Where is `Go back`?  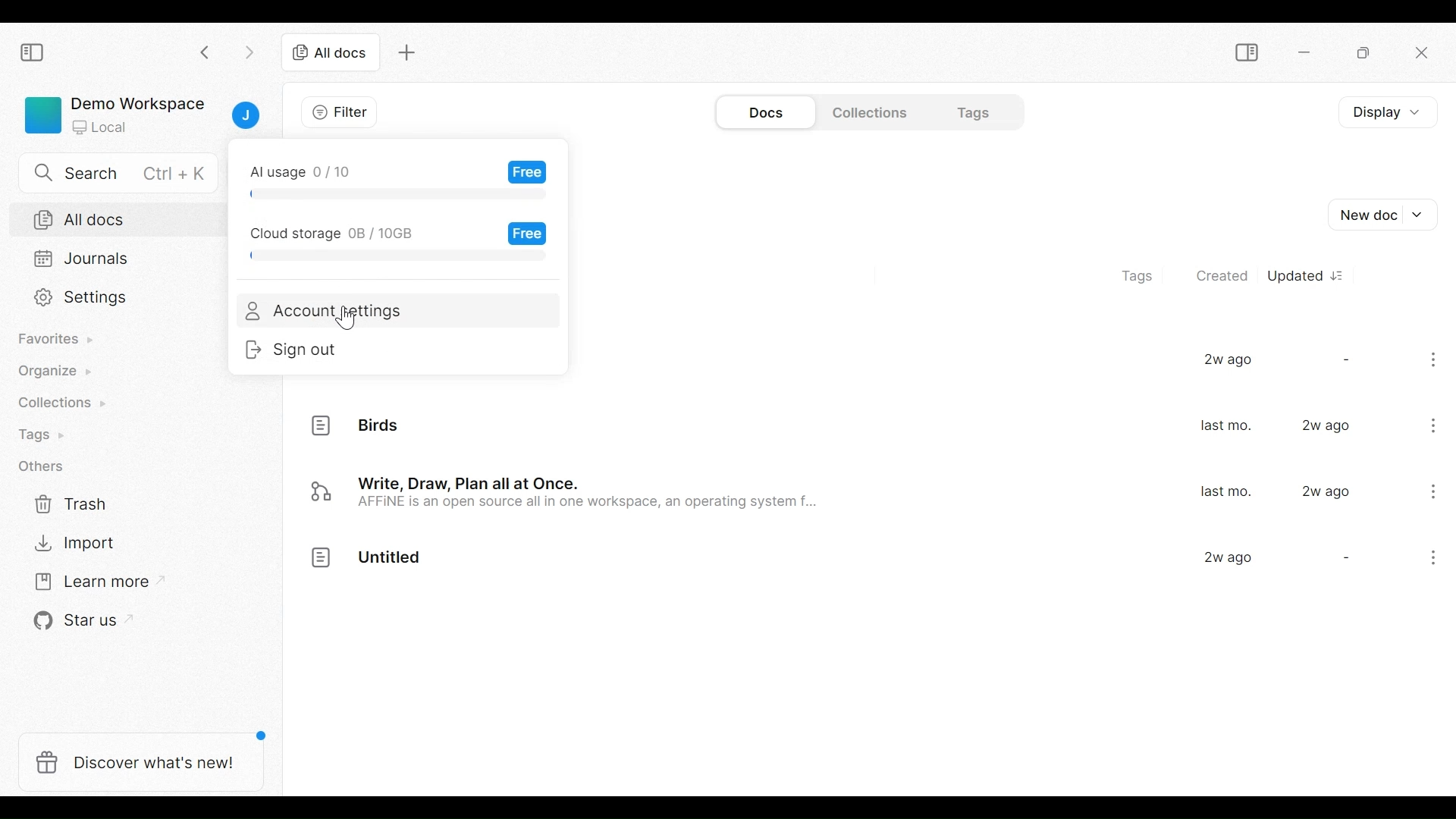 Go back is located at coordinates (206, 52).